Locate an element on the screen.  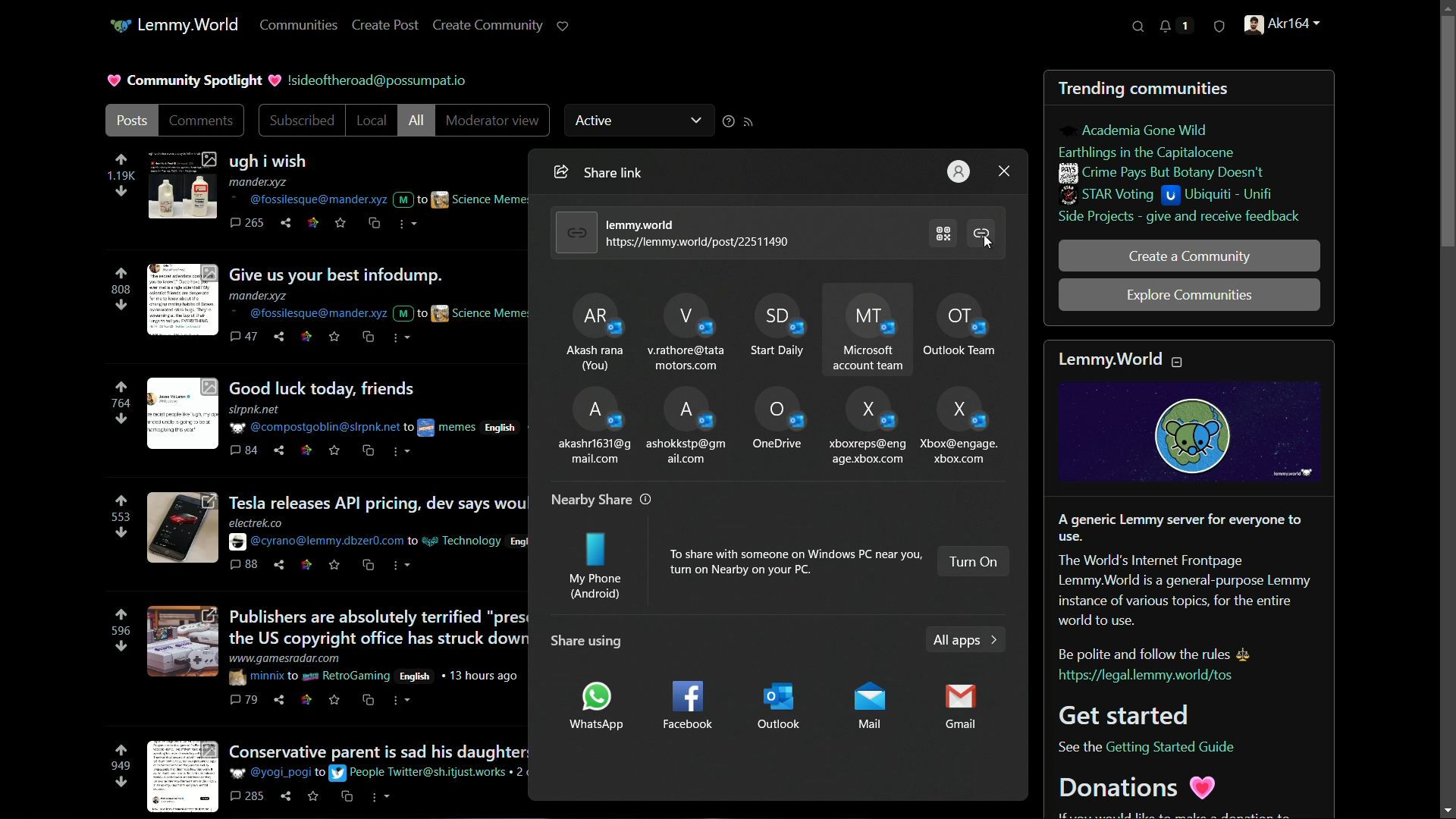
lemmy.world is located at coordinates (1110, 358).